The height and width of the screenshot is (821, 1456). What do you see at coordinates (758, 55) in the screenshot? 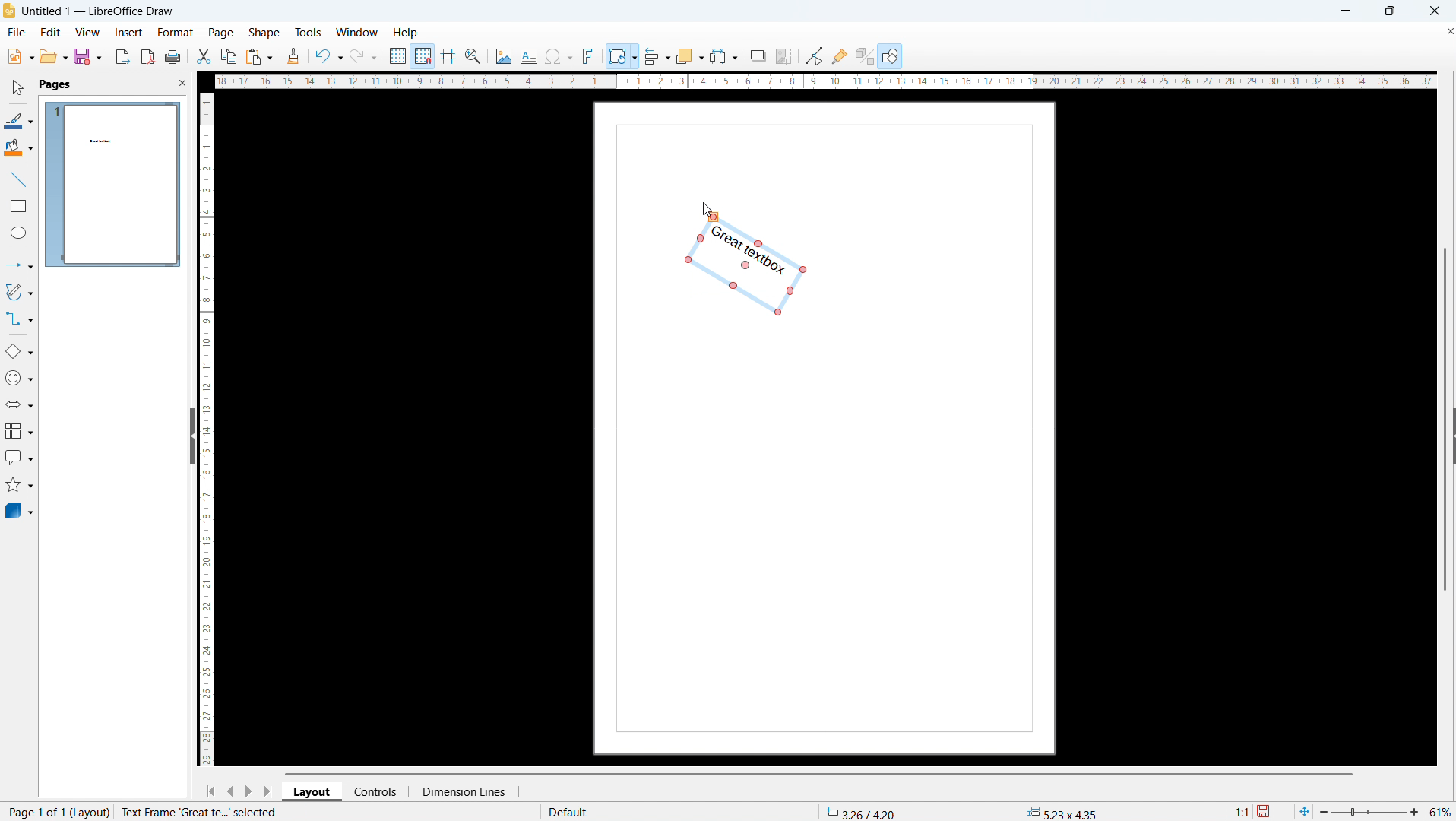
I see `shadow` at bounding box center [758, 55].